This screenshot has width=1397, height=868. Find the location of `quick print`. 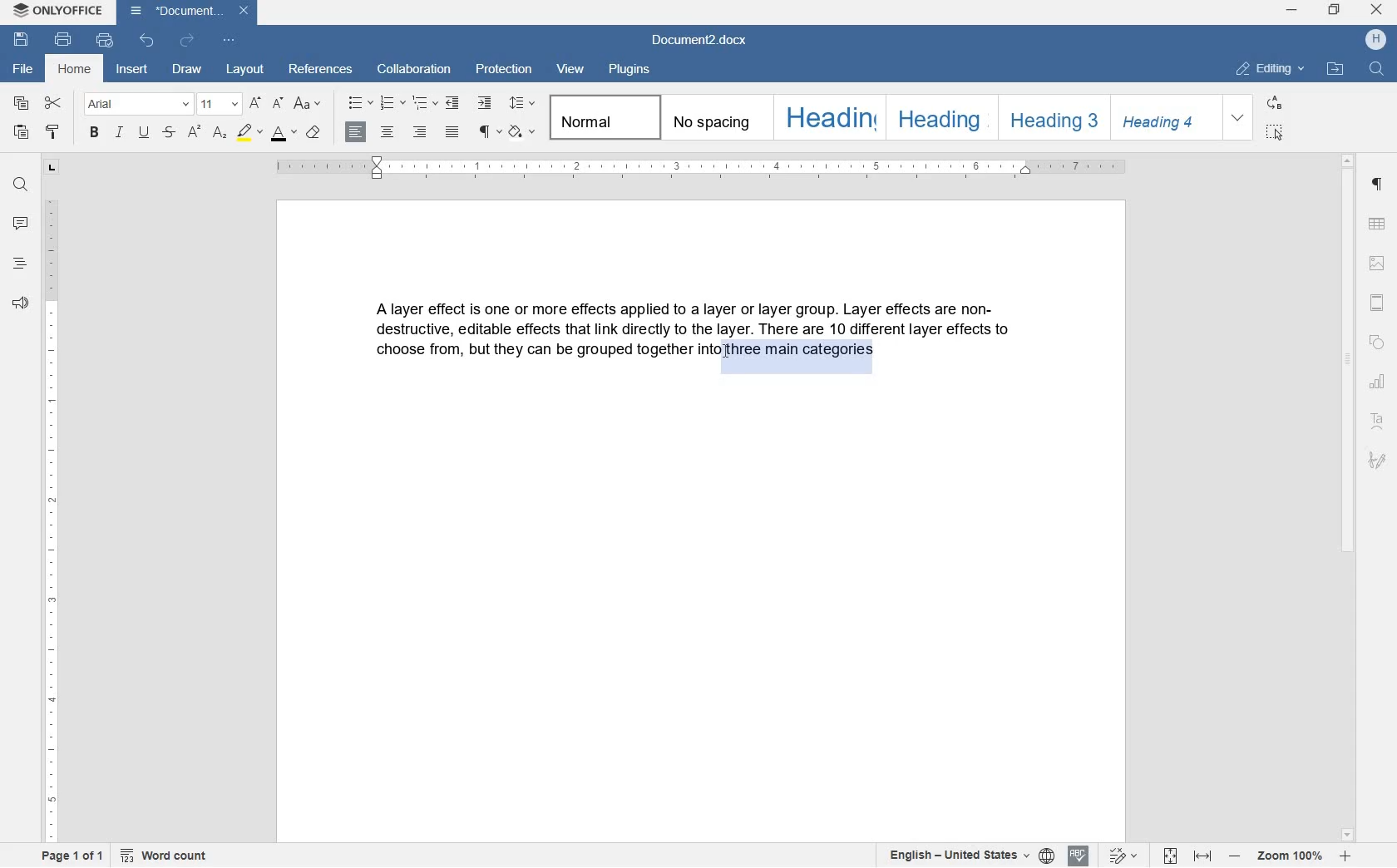

quick print is located at coordinates (105, 41).